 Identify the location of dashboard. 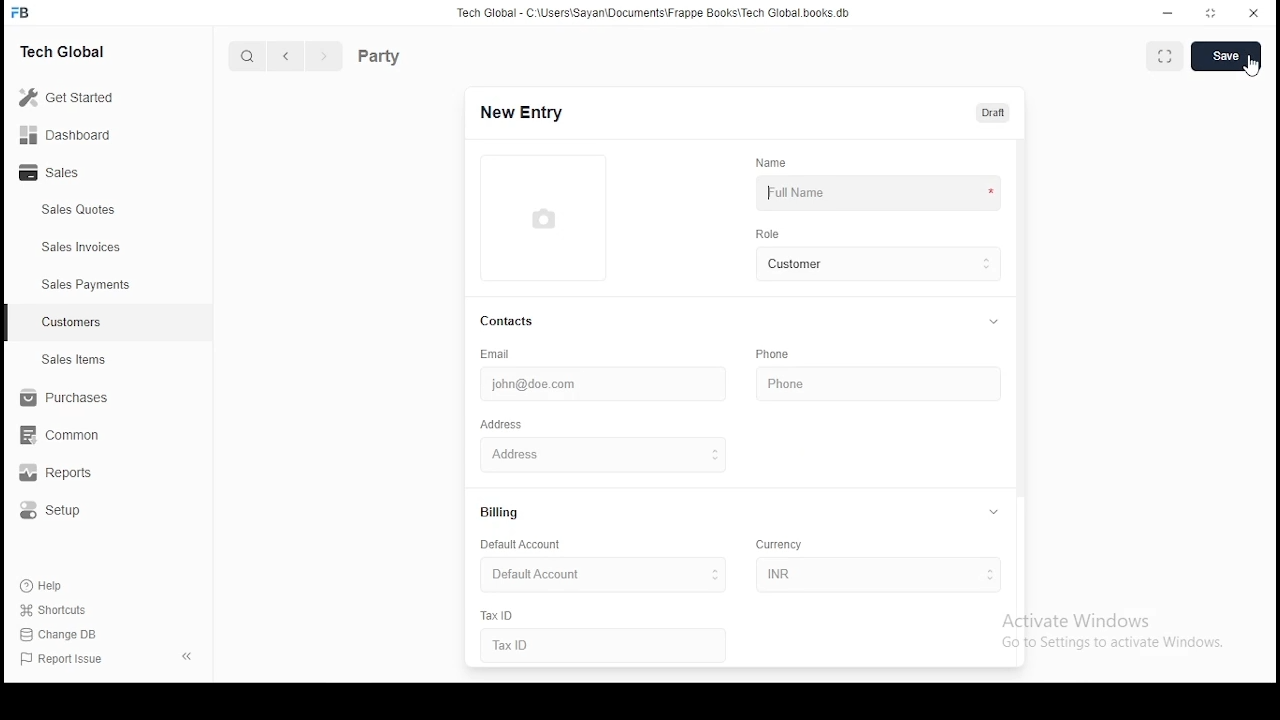
(66, 133).